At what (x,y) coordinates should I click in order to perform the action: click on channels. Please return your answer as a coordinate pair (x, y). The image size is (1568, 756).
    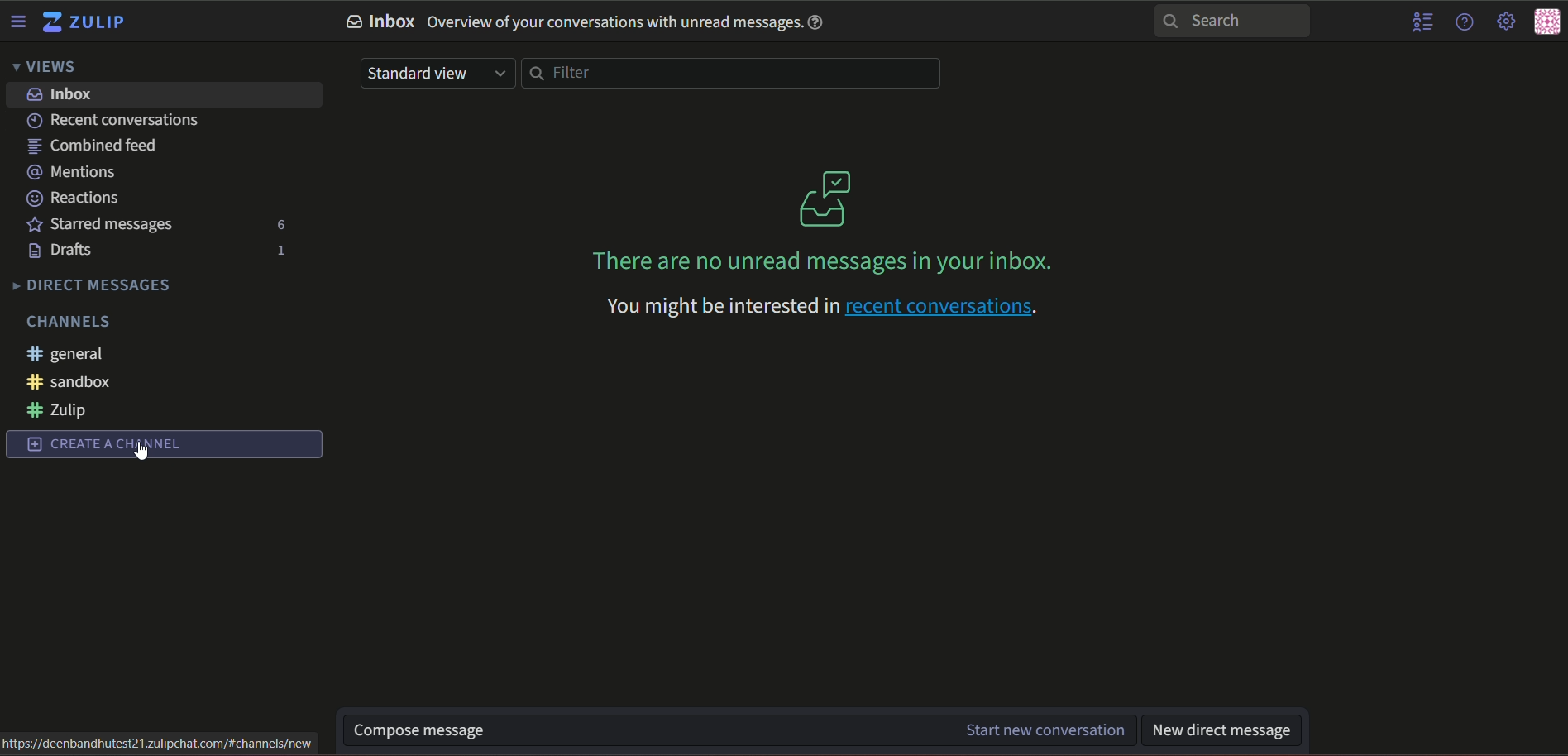
    Looking at the image, I should click on (73, 321).